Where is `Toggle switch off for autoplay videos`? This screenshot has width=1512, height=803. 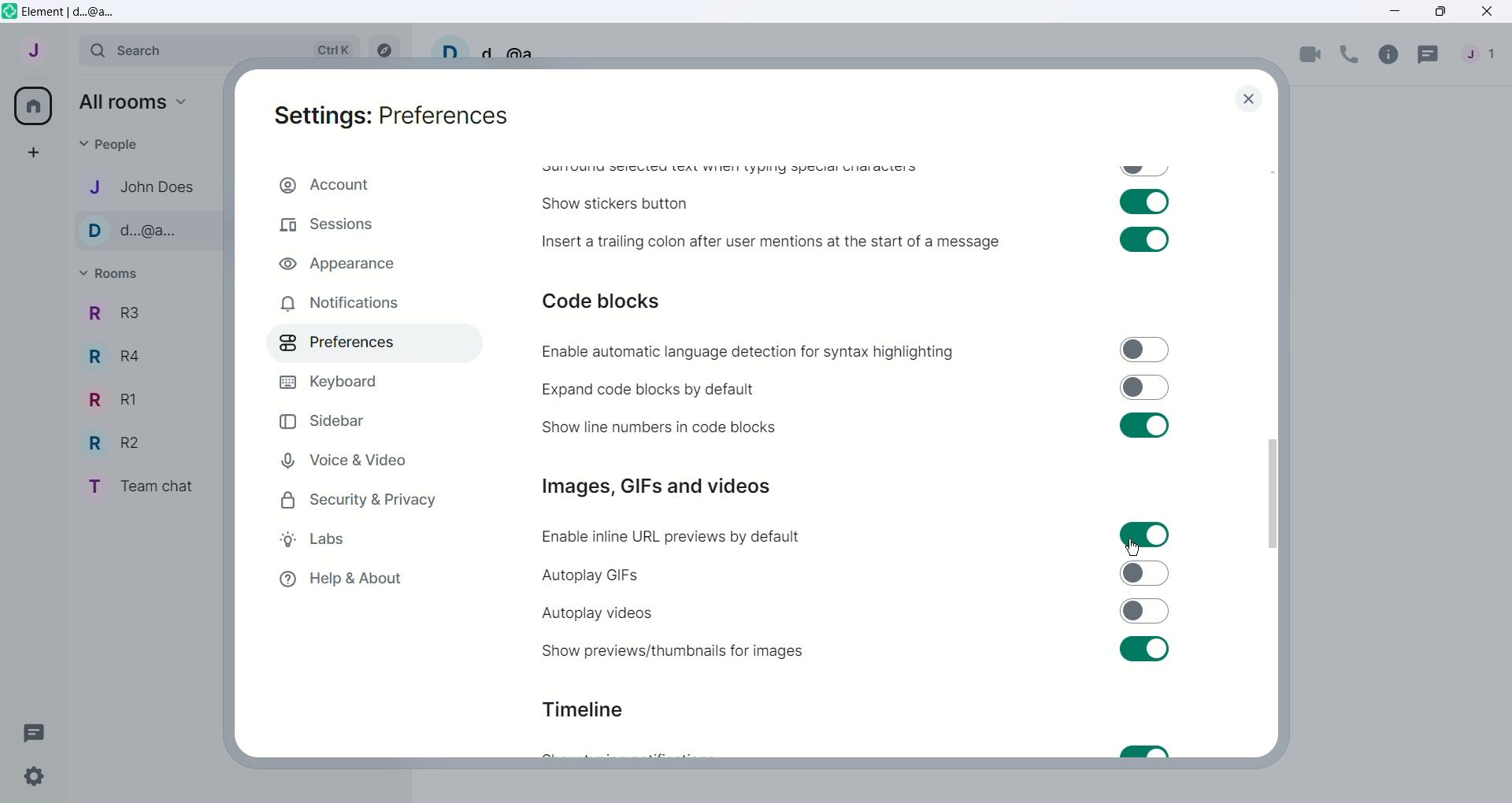
Toggle switch off for autoplay videos is located at coordinates (1145, 611).